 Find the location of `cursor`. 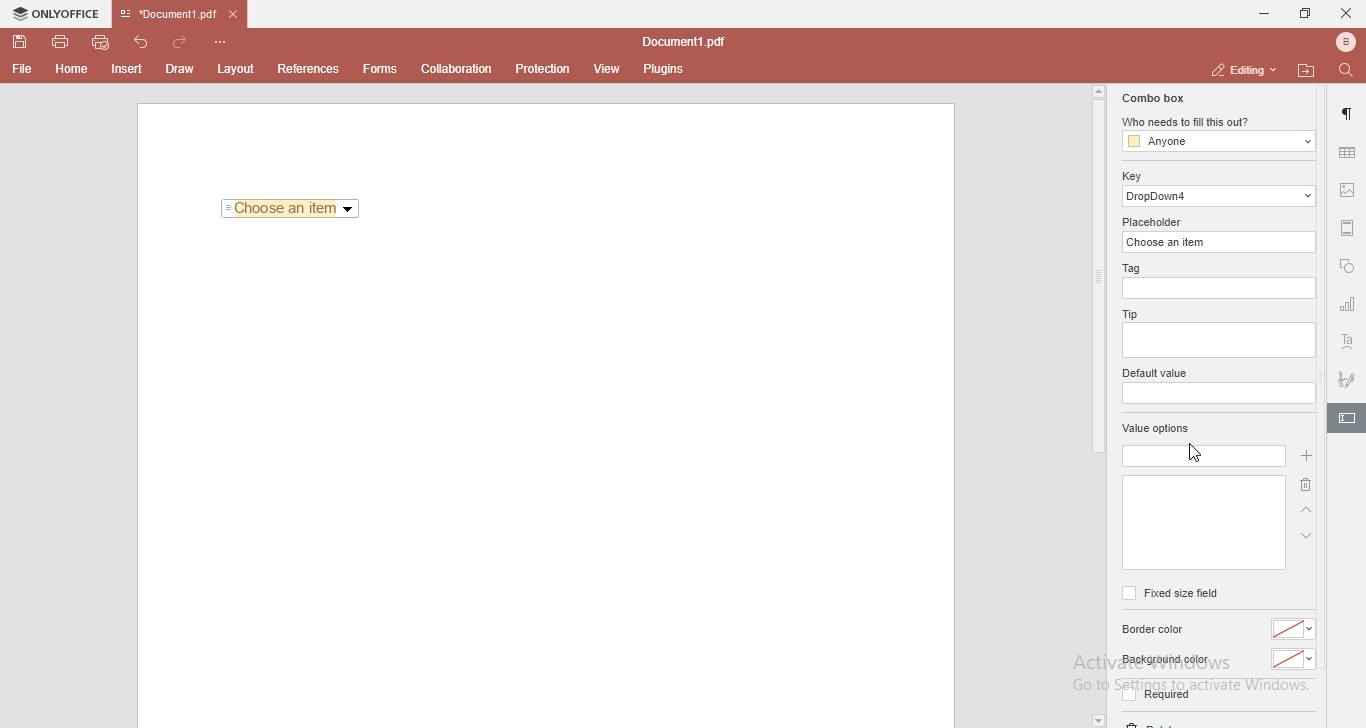

cursor is located at coordinates (1201, 454).